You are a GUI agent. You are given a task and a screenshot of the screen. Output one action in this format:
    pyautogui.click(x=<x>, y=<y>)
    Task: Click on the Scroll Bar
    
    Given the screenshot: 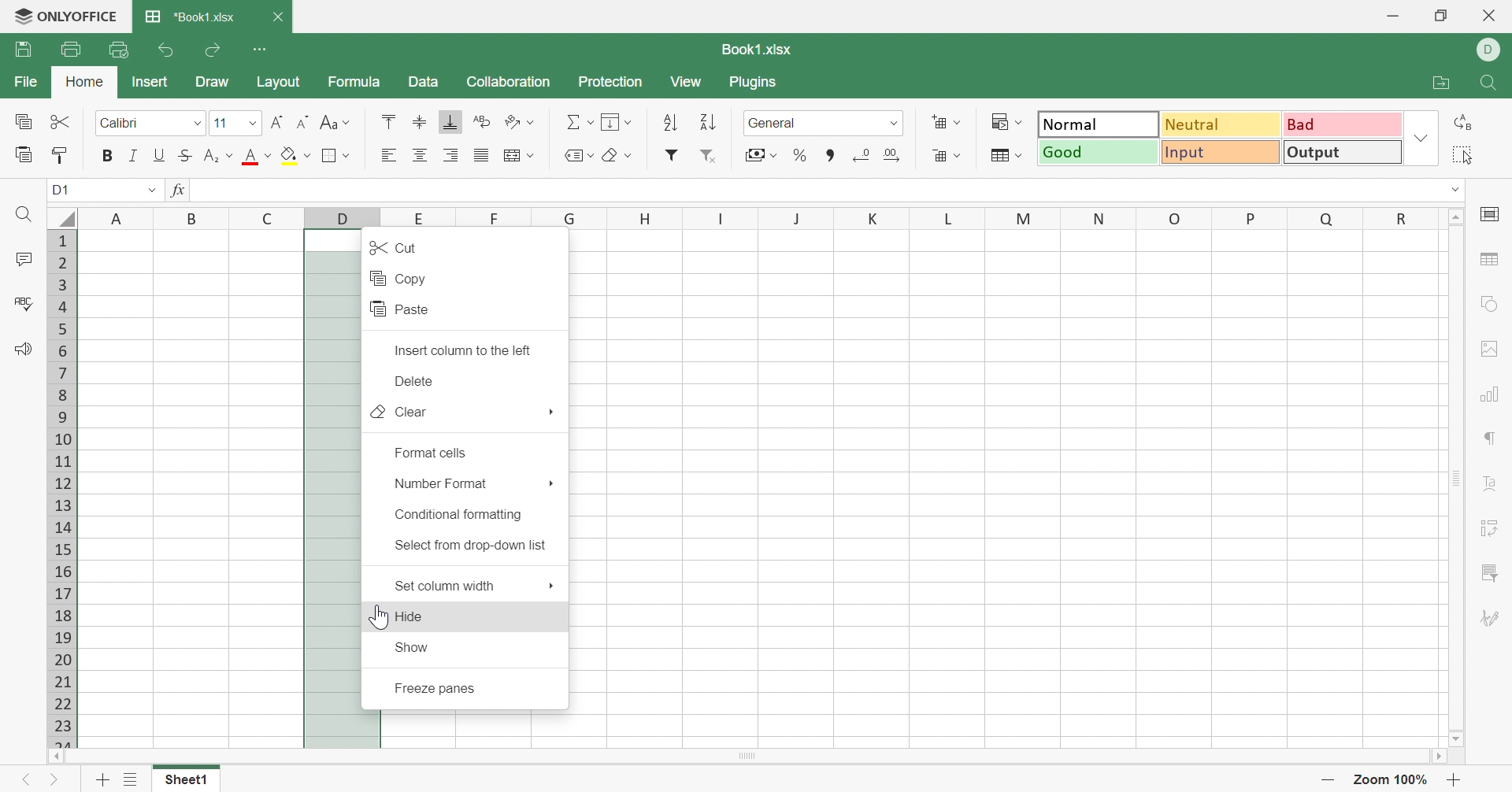 What is the action you would take?
    pyautogui.click(x=744, y=757)
    